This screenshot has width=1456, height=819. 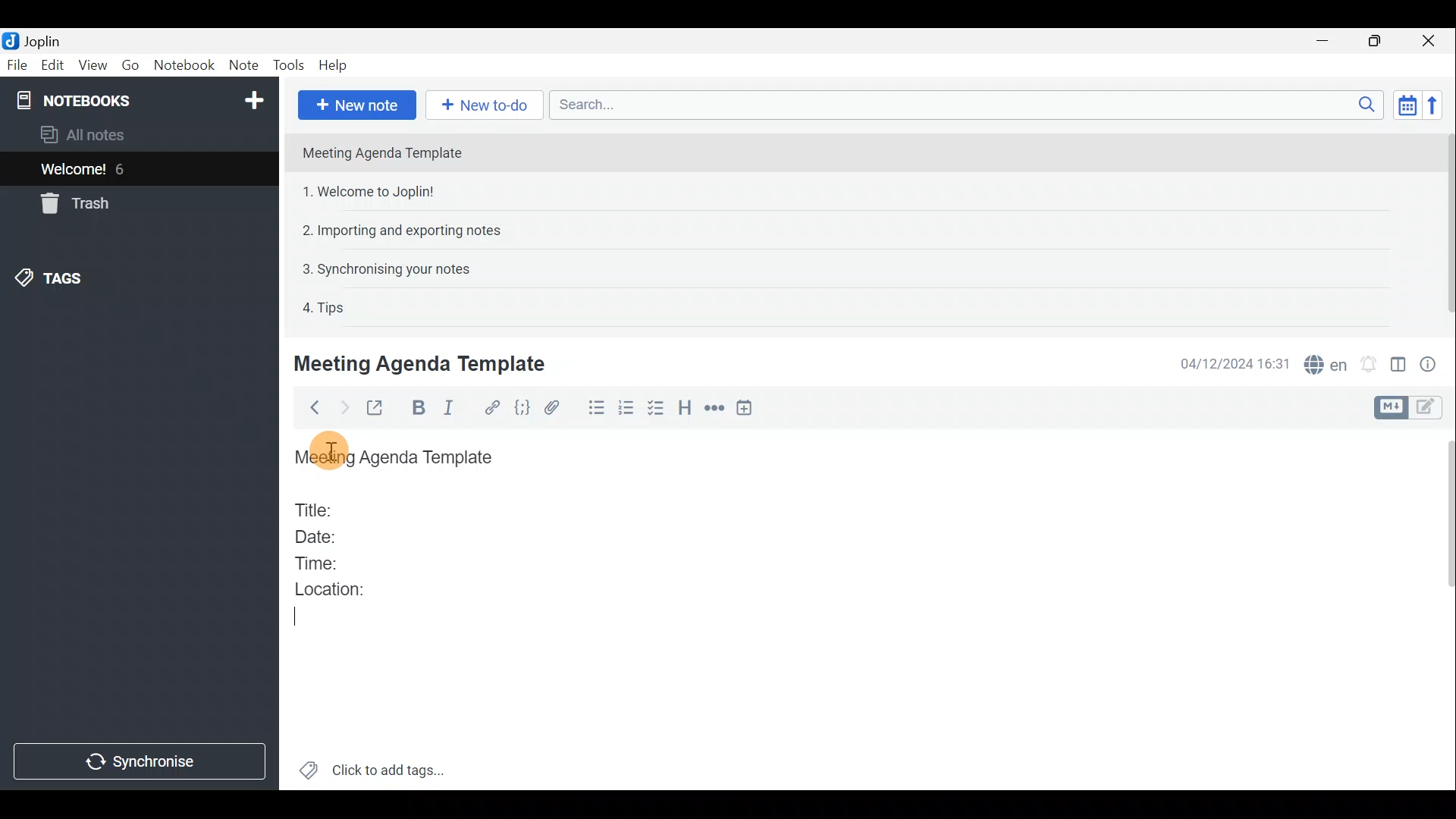 What do you see at coordinates (74, 171) in the screenshot?
I see `Welcome!` at bounding box center [74, 171].